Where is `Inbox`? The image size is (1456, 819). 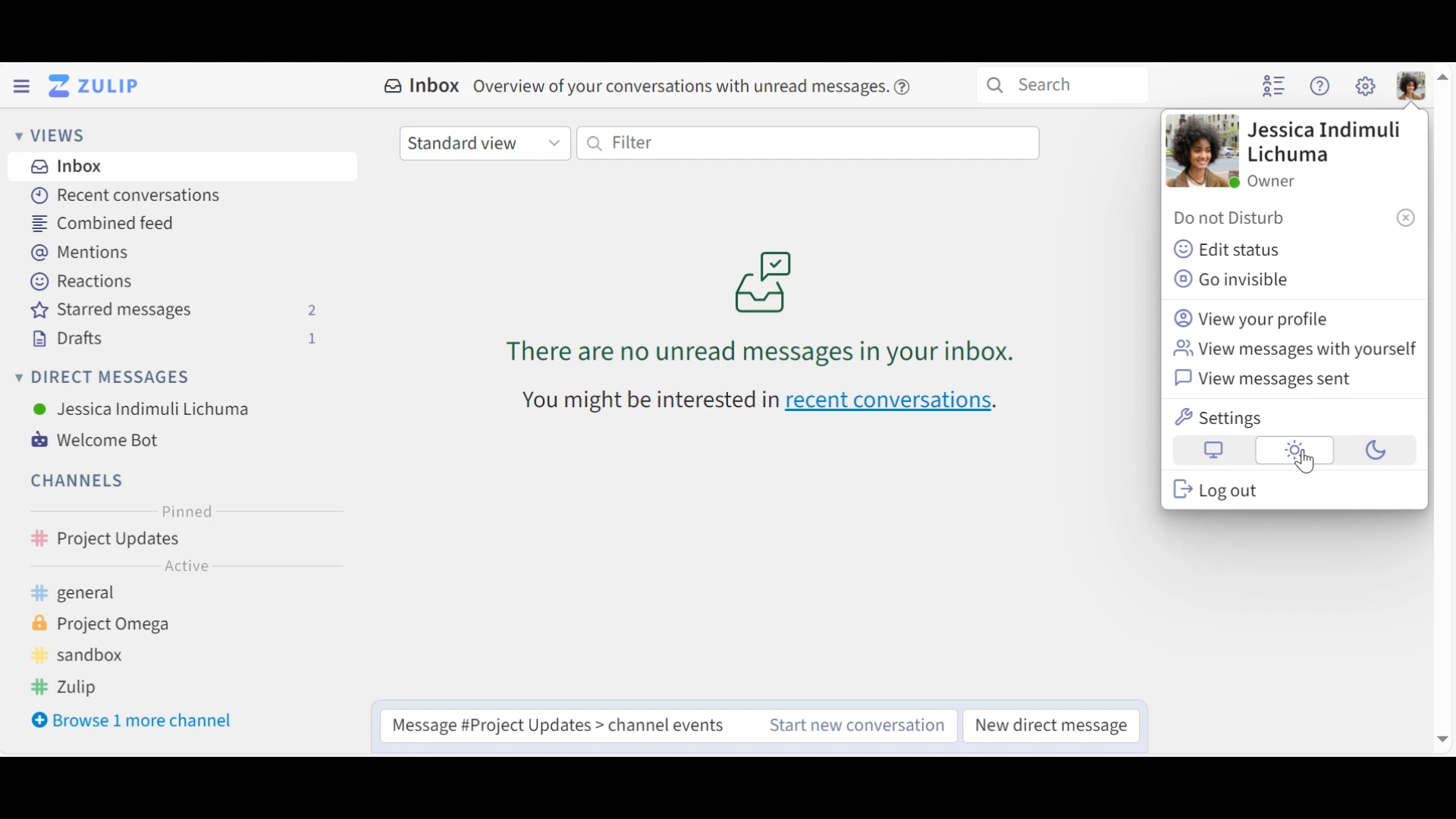 Inbox is located at coordinates (184, 167).